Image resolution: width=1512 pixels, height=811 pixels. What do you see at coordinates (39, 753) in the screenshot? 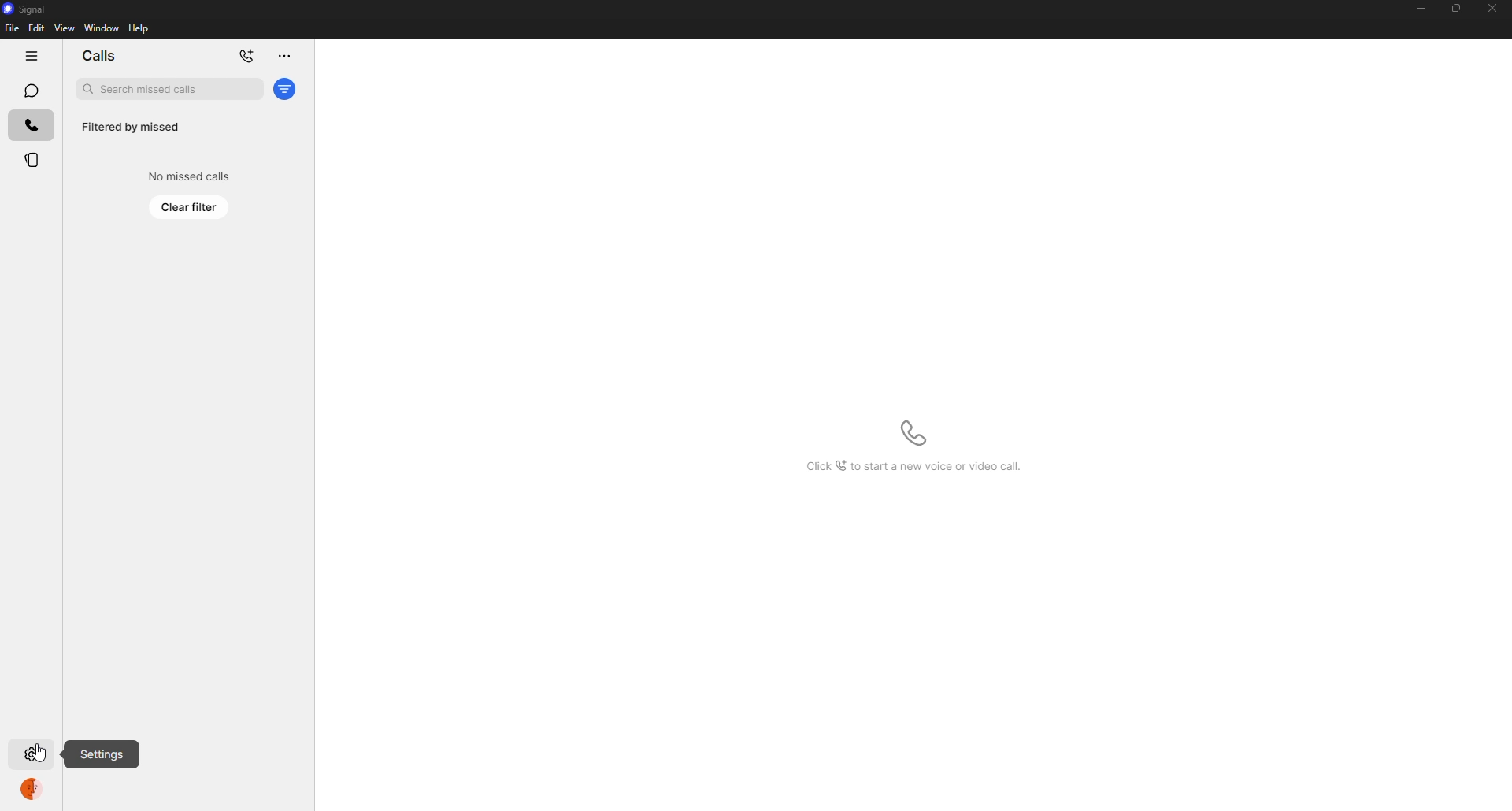
I see `cursor` at bounding box center [39, 753].